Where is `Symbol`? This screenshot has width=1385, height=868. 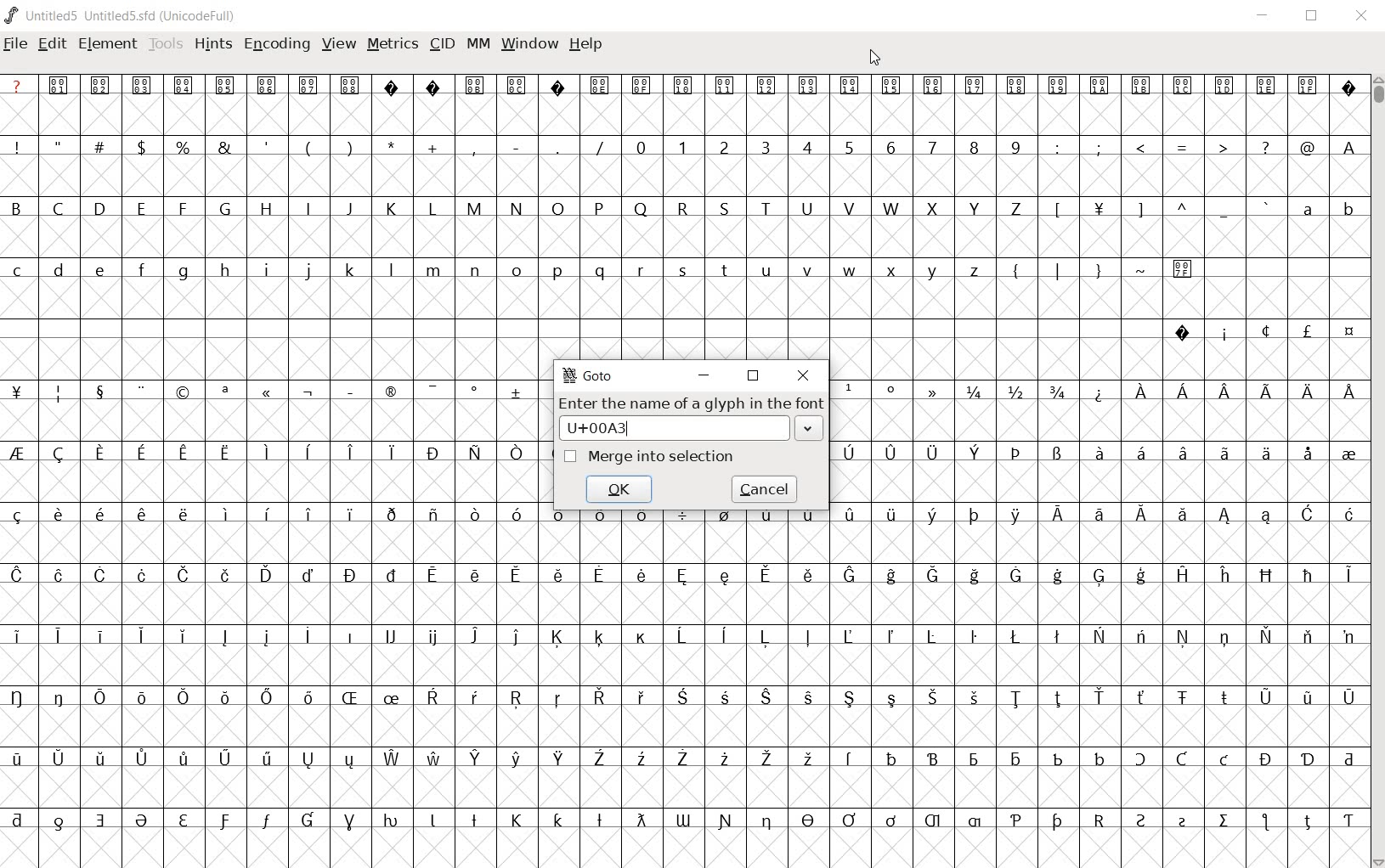 Symbol is located at coordinates (474, 453).